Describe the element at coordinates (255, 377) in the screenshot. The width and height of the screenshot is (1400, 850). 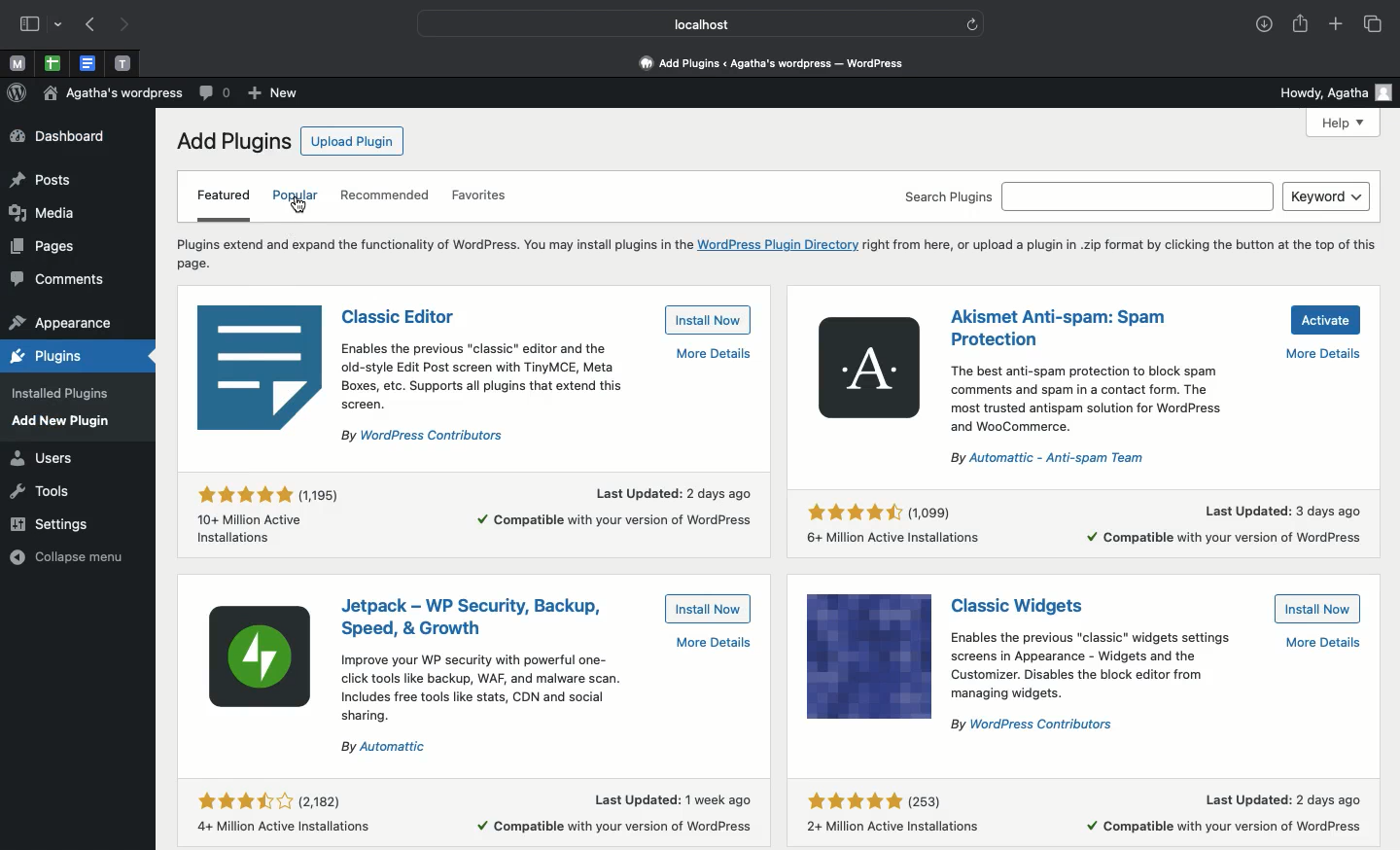
I see `Icon` at that location.